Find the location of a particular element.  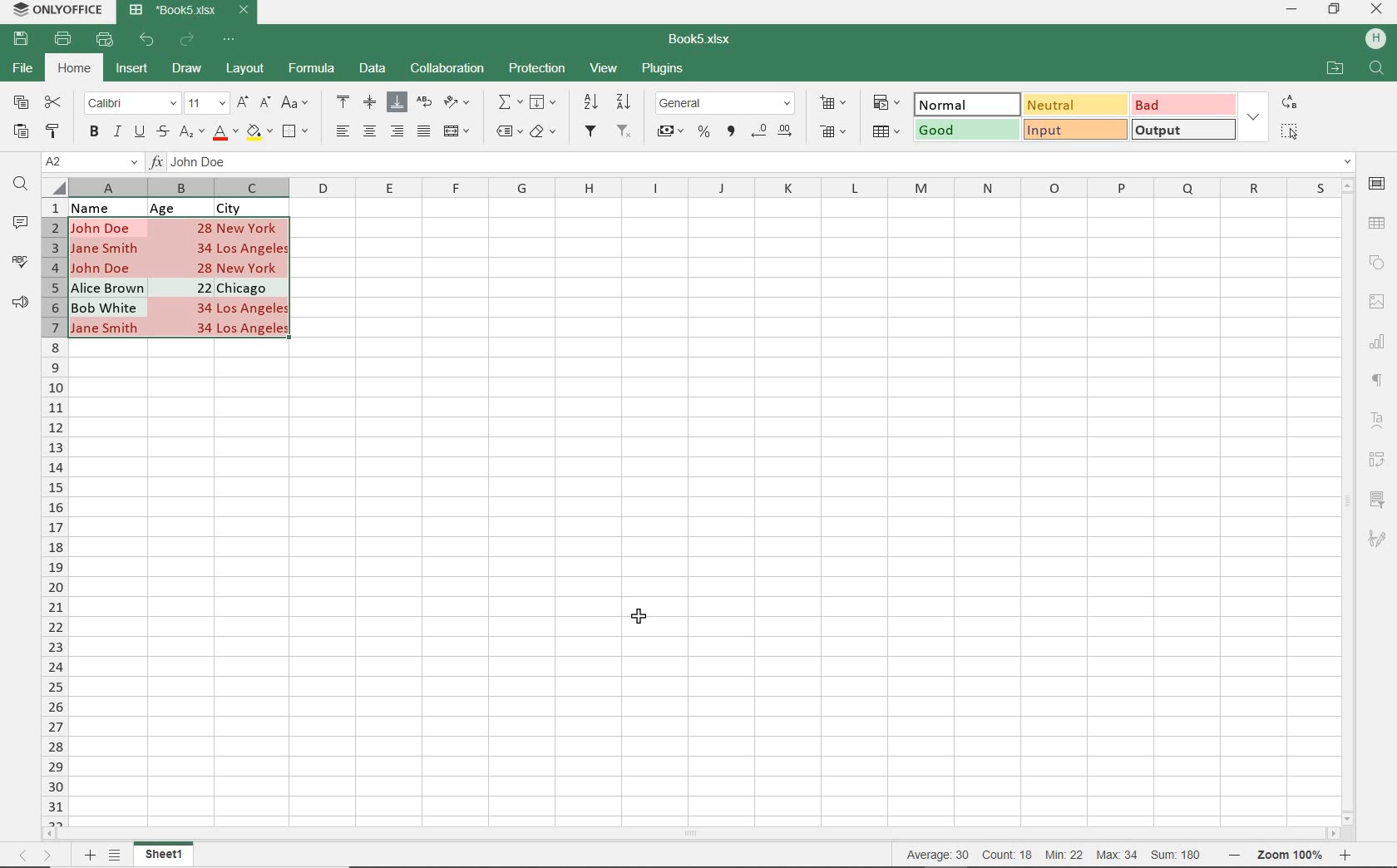

CHANGE CASE is located at coordinates (296, 103).